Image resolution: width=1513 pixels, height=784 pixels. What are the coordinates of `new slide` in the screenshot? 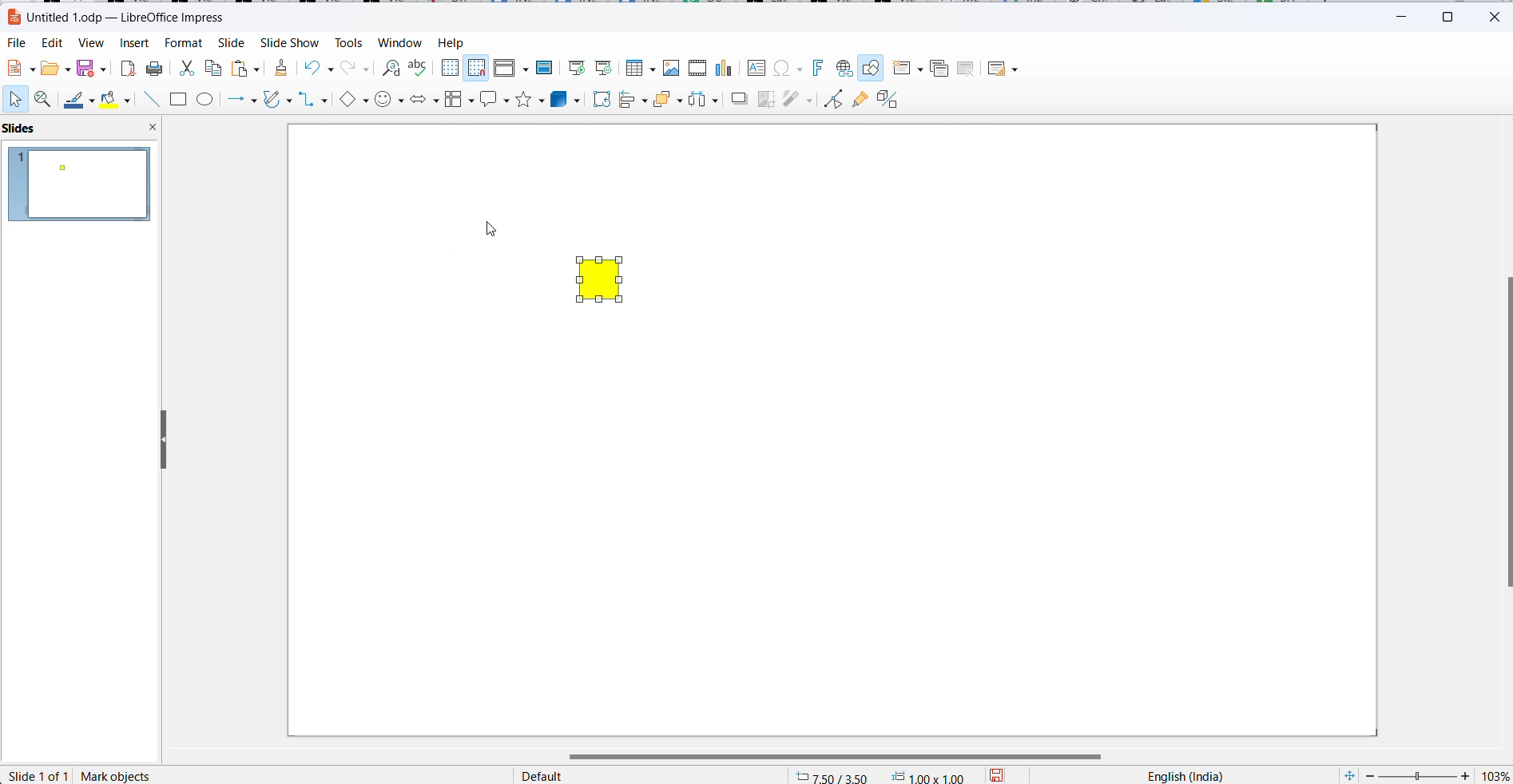 It's located at (908, 69).